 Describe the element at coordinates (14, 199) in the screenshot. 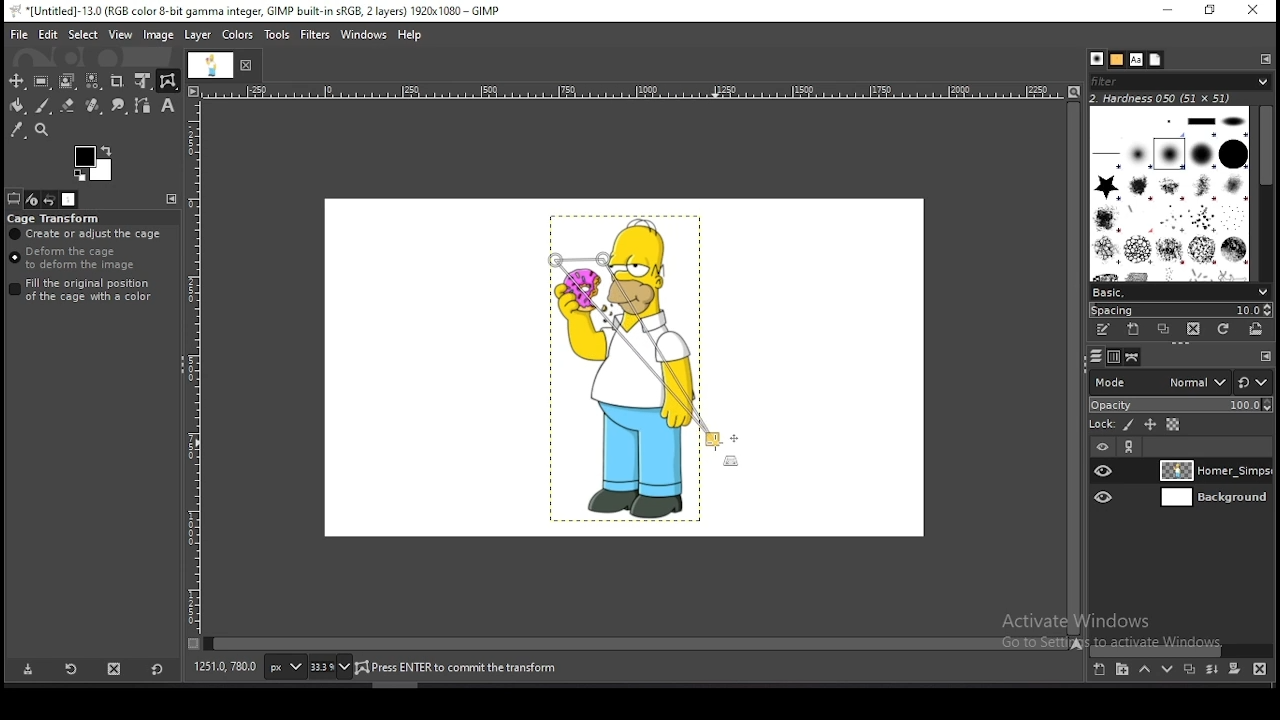

I see `tool options` at that location.